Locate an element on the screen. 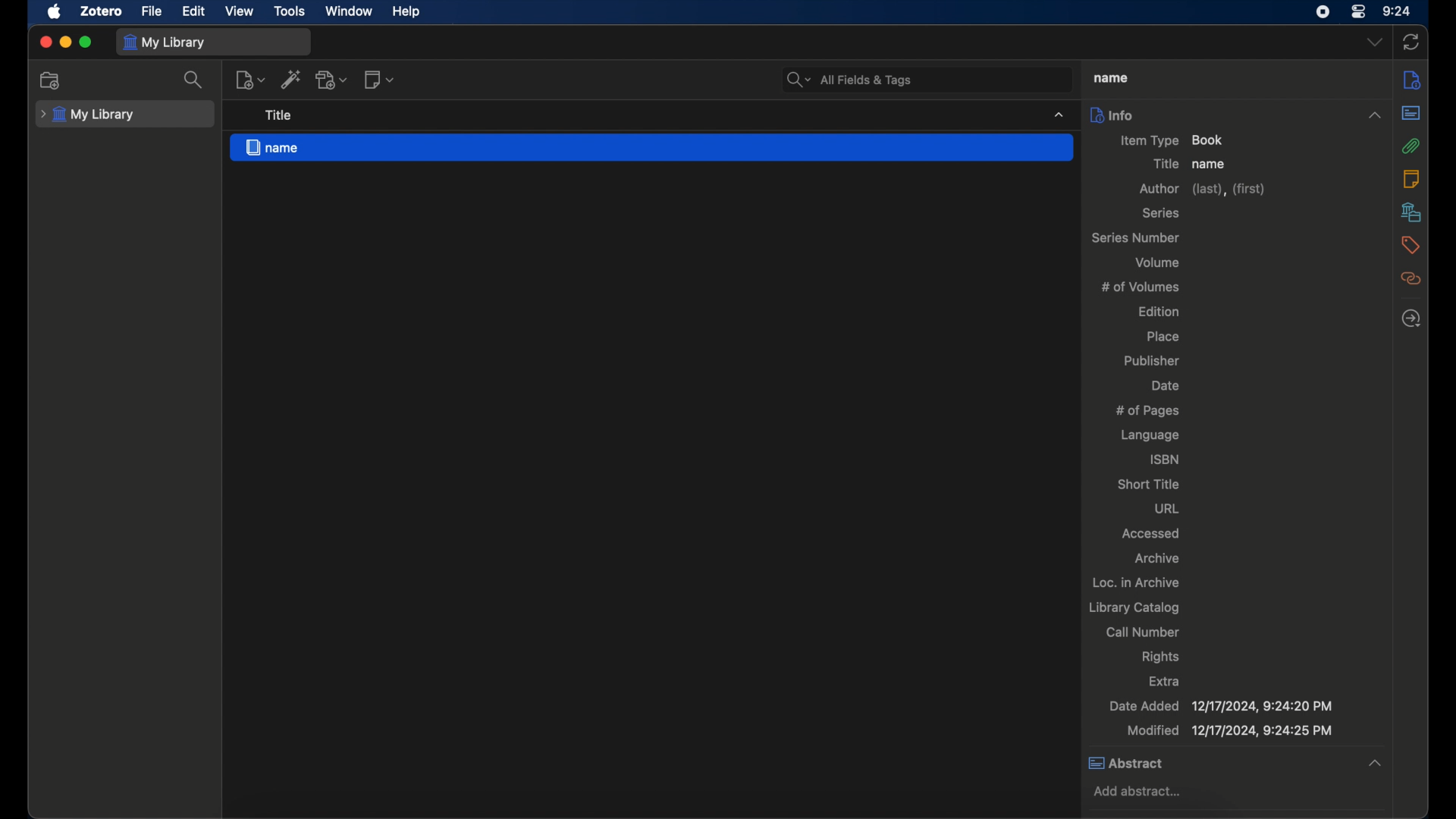 This screenshot has width=1456, height=819. library catalog is located at coordinates (1134, 608).